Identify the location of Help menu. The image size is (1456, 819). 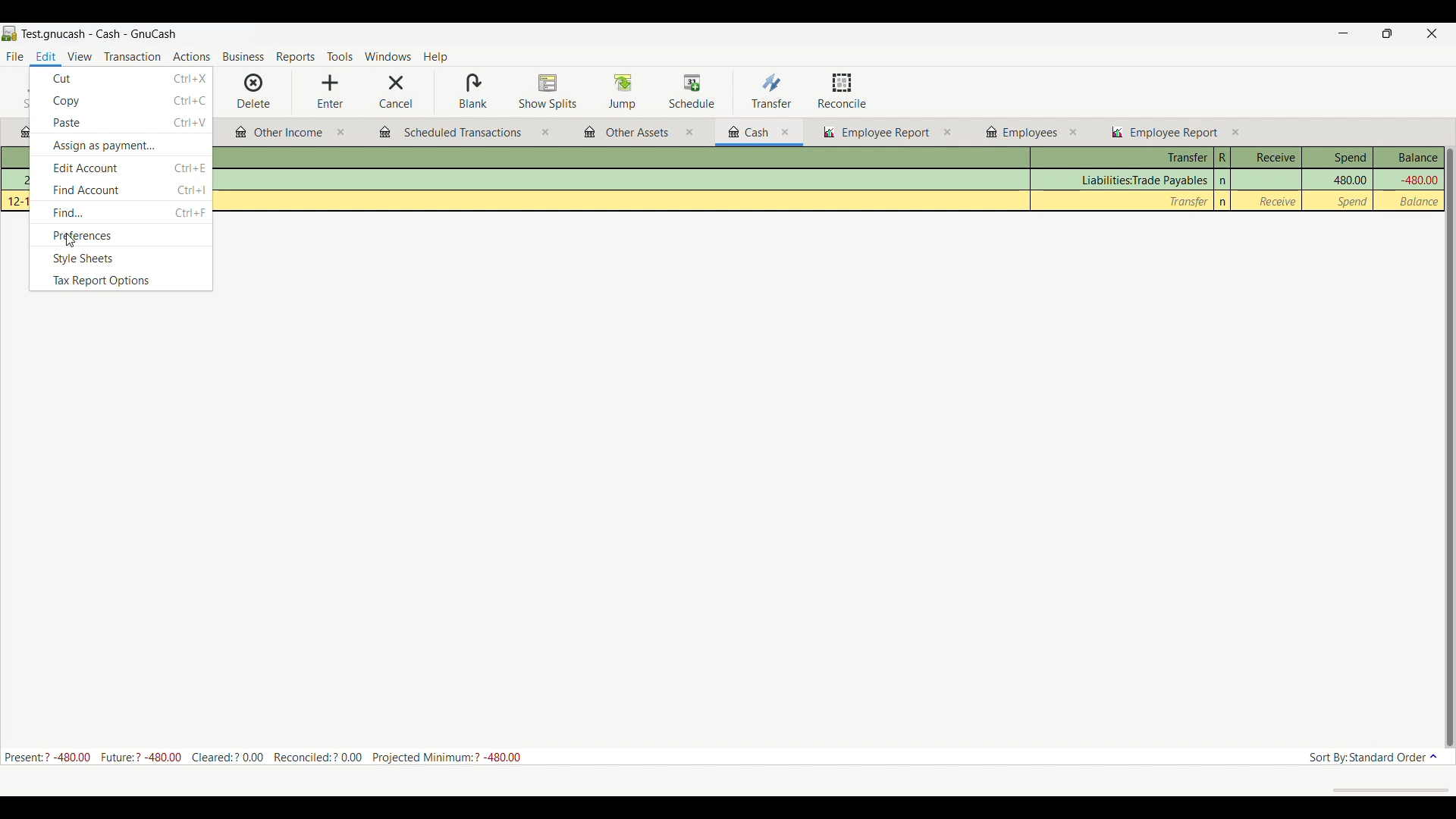
(435, 58).